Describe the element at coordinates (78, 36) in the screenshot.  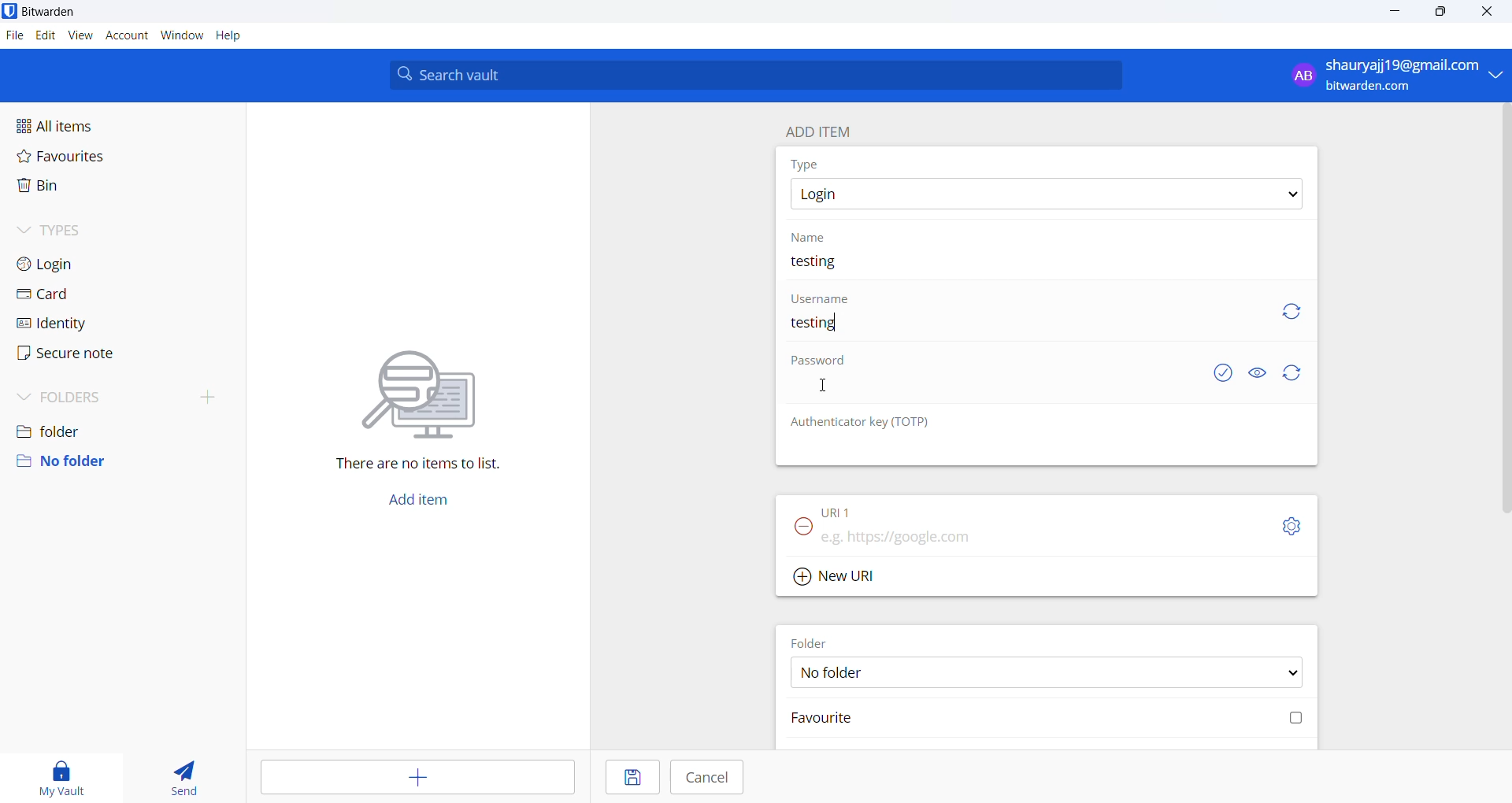
I see `view` at that location.